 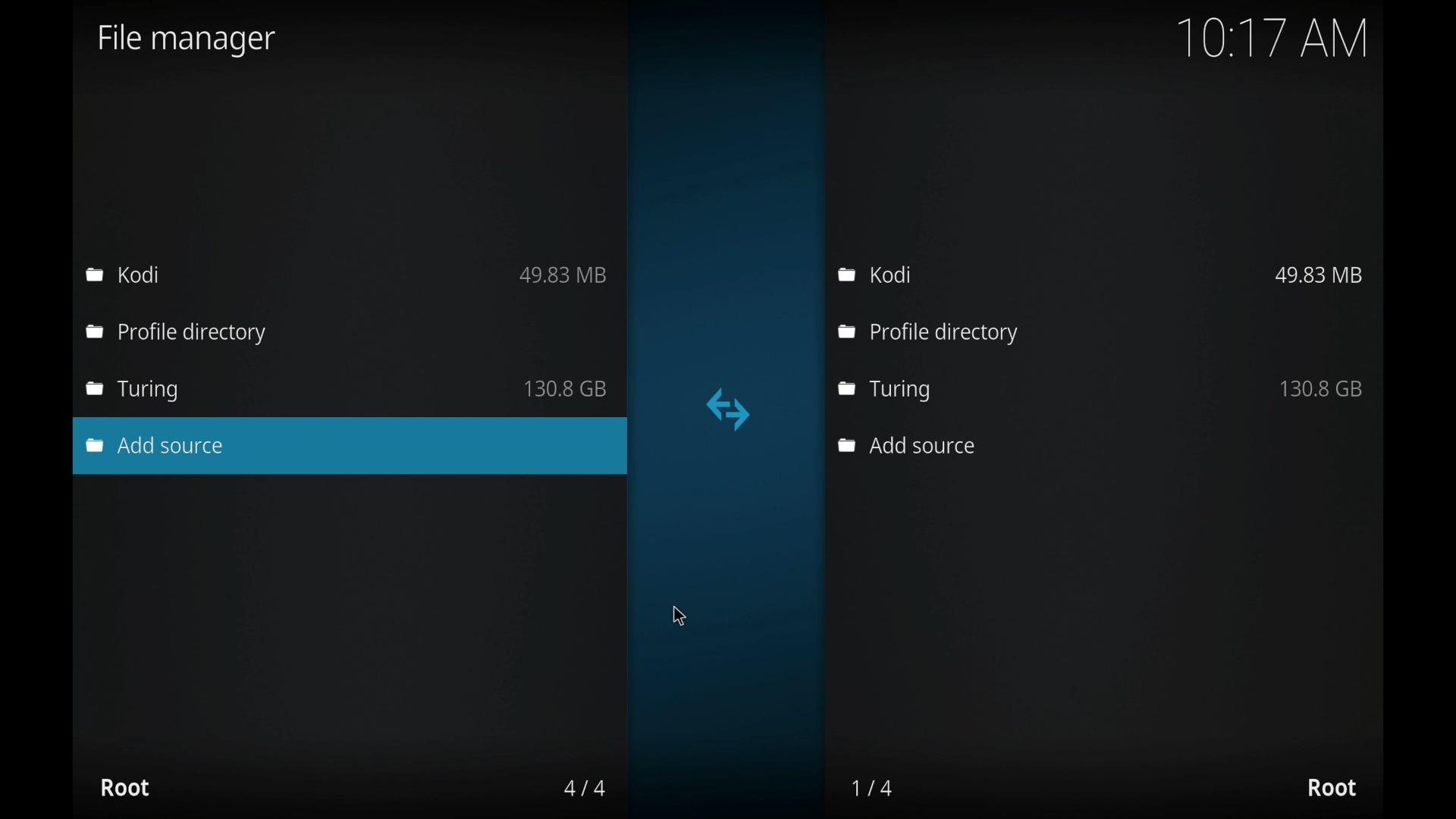 What do you see at coordinates (1273, 38) in the screenshot?
I see `10.16 am` at bounding box center [1273, 38].